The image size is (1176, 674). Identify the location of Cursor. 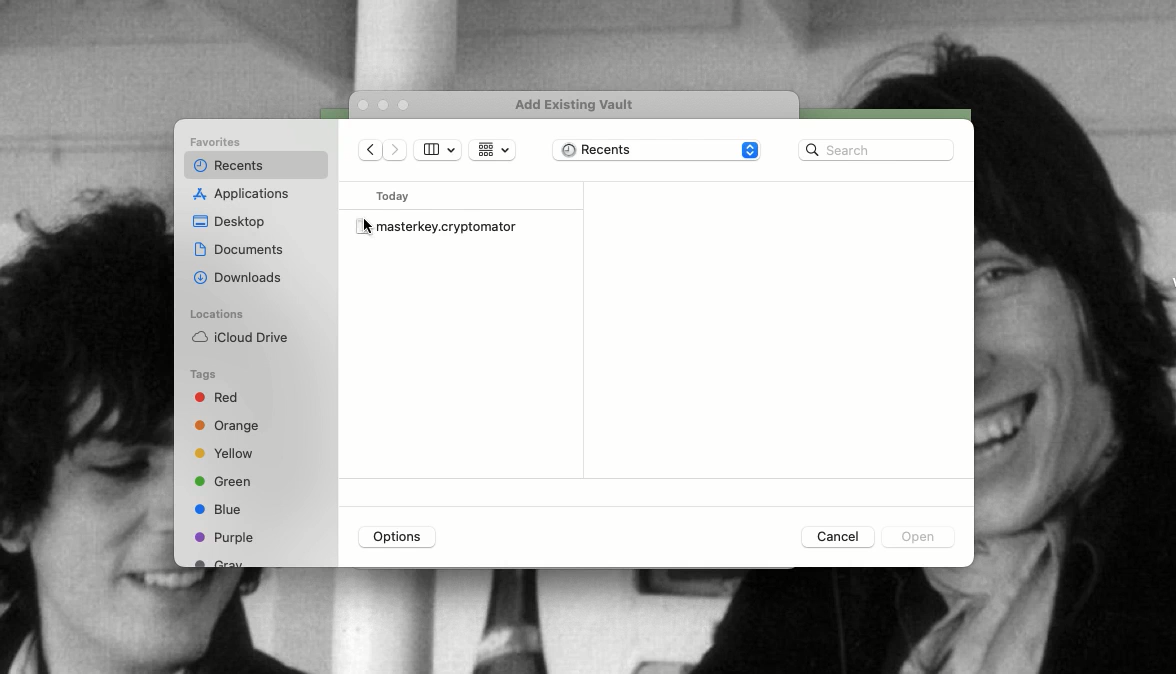
(369, 227).